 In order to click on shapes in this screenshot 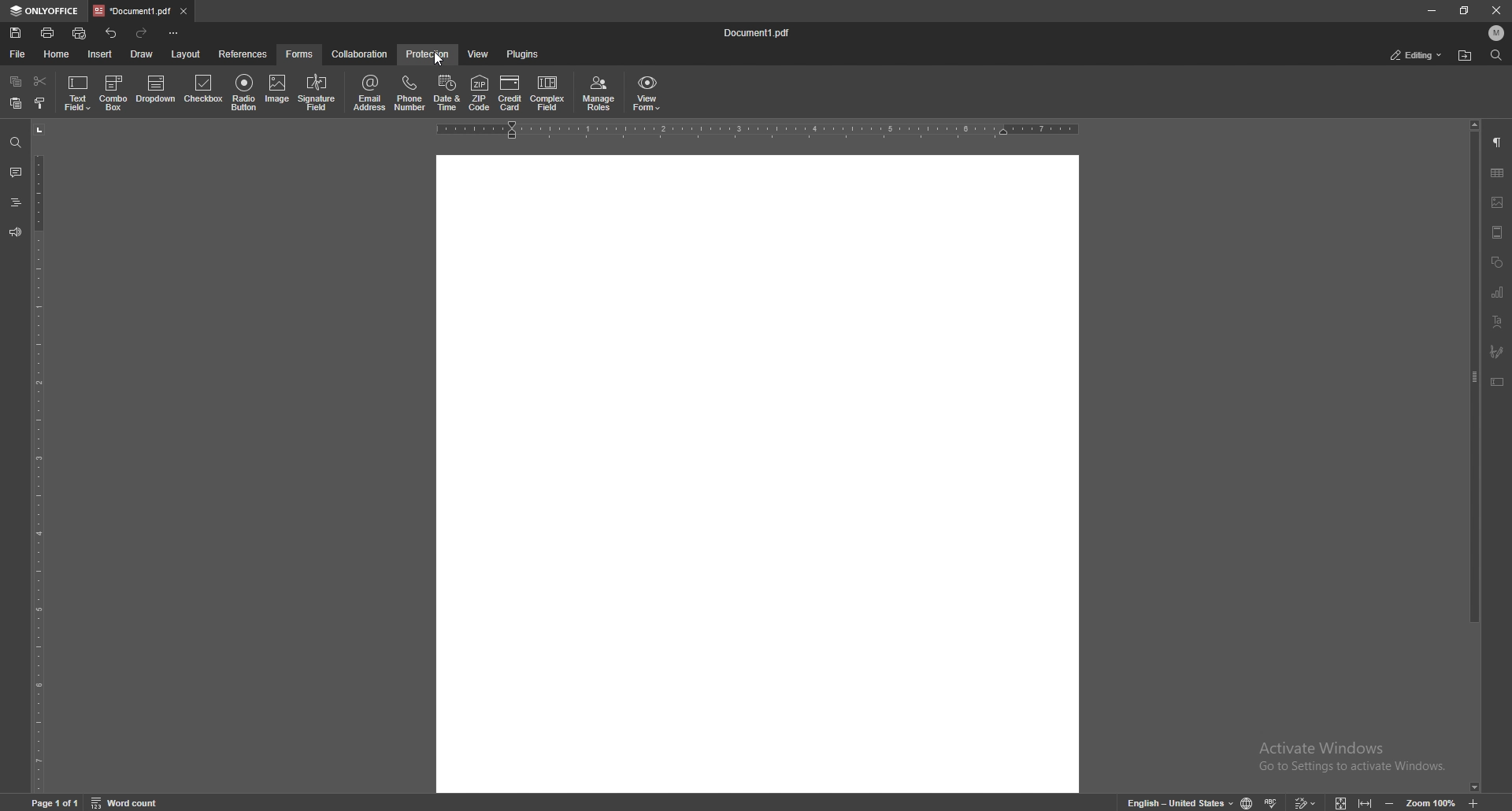, I will do `click(1496, 263)`.